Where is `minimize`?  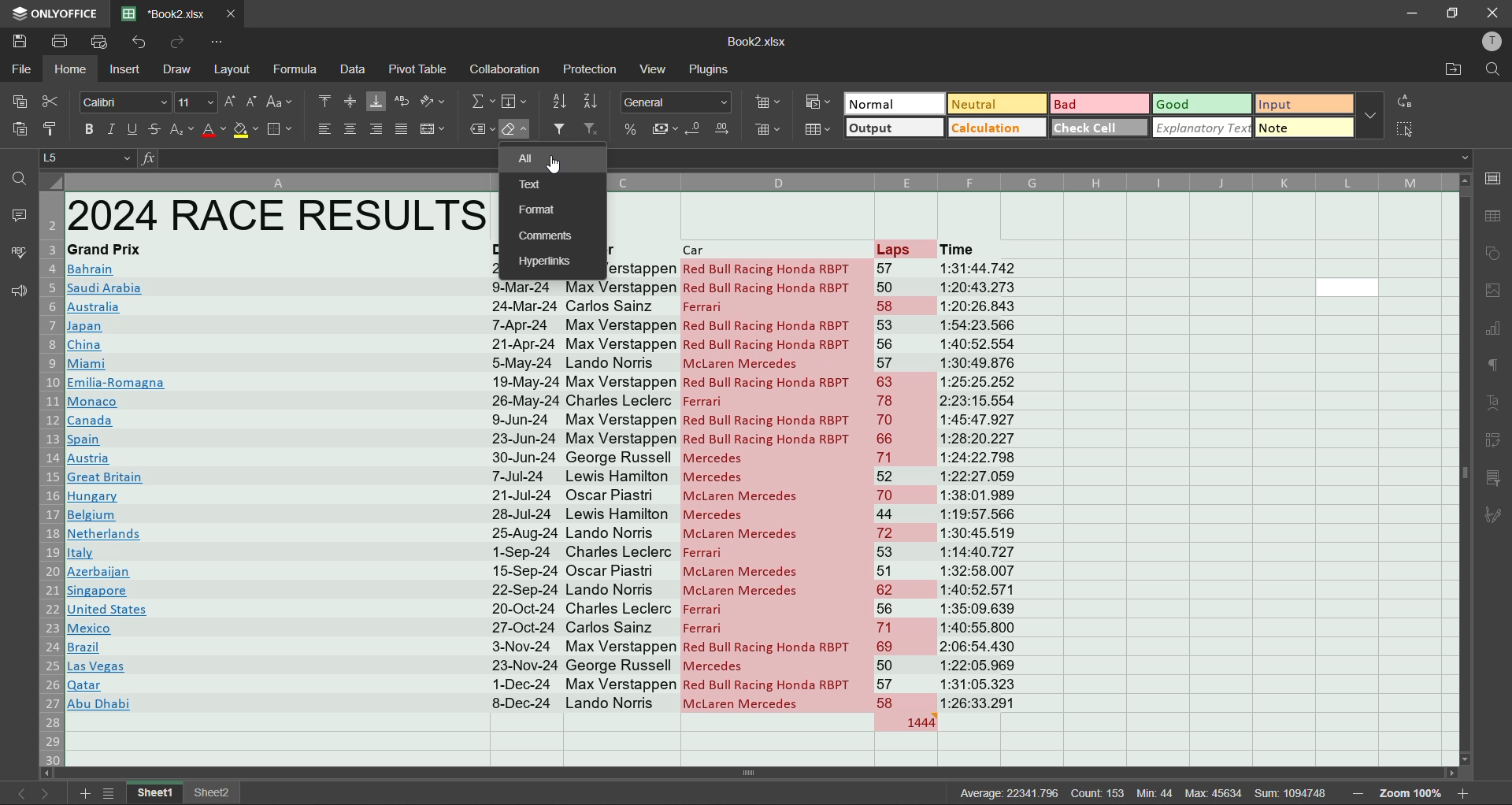 minimize is located at coordinates (1413, 13).